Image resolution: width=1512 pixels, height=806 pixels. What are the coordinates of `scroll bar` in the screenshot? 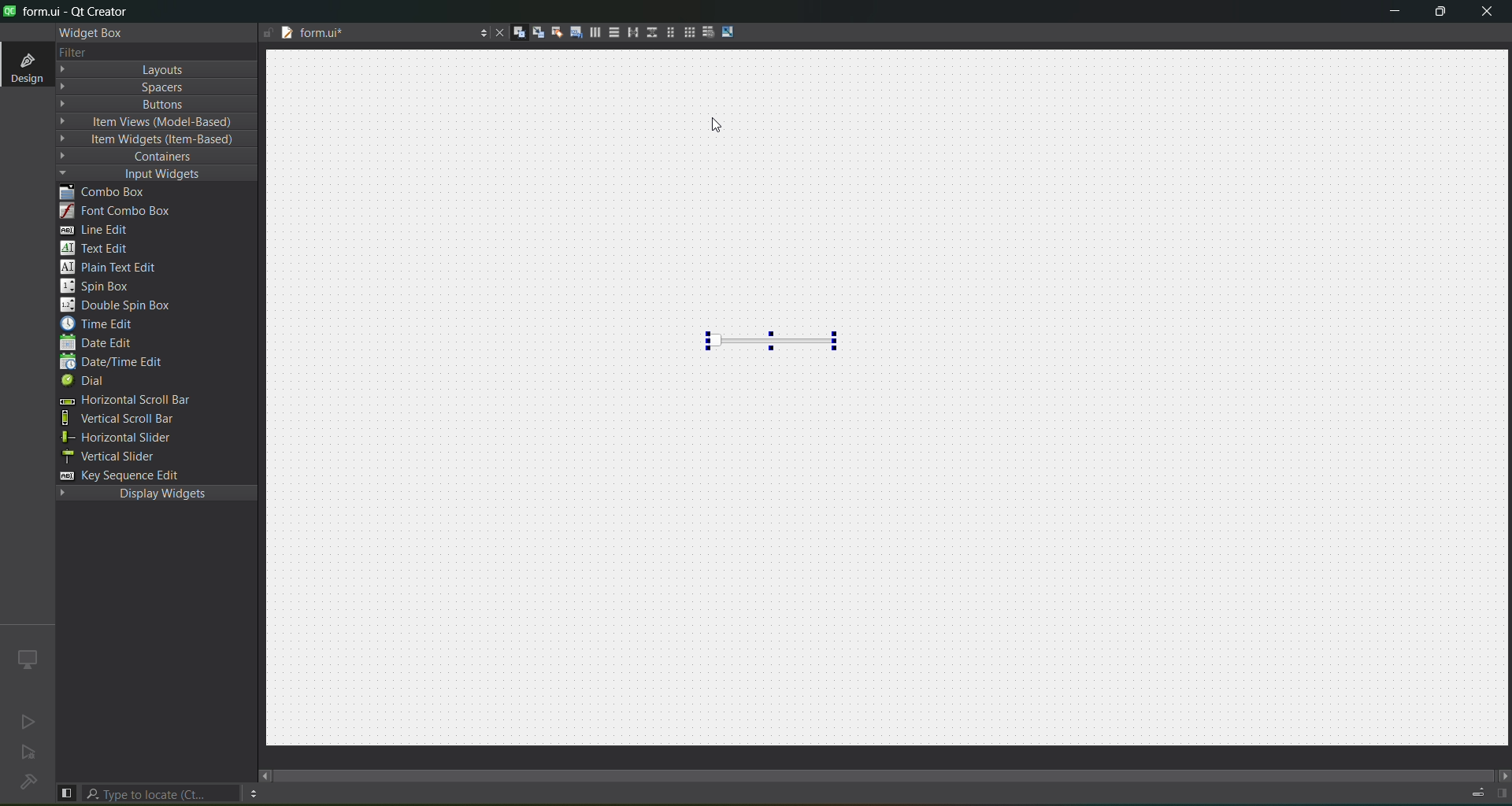 It's located at (892, 775).